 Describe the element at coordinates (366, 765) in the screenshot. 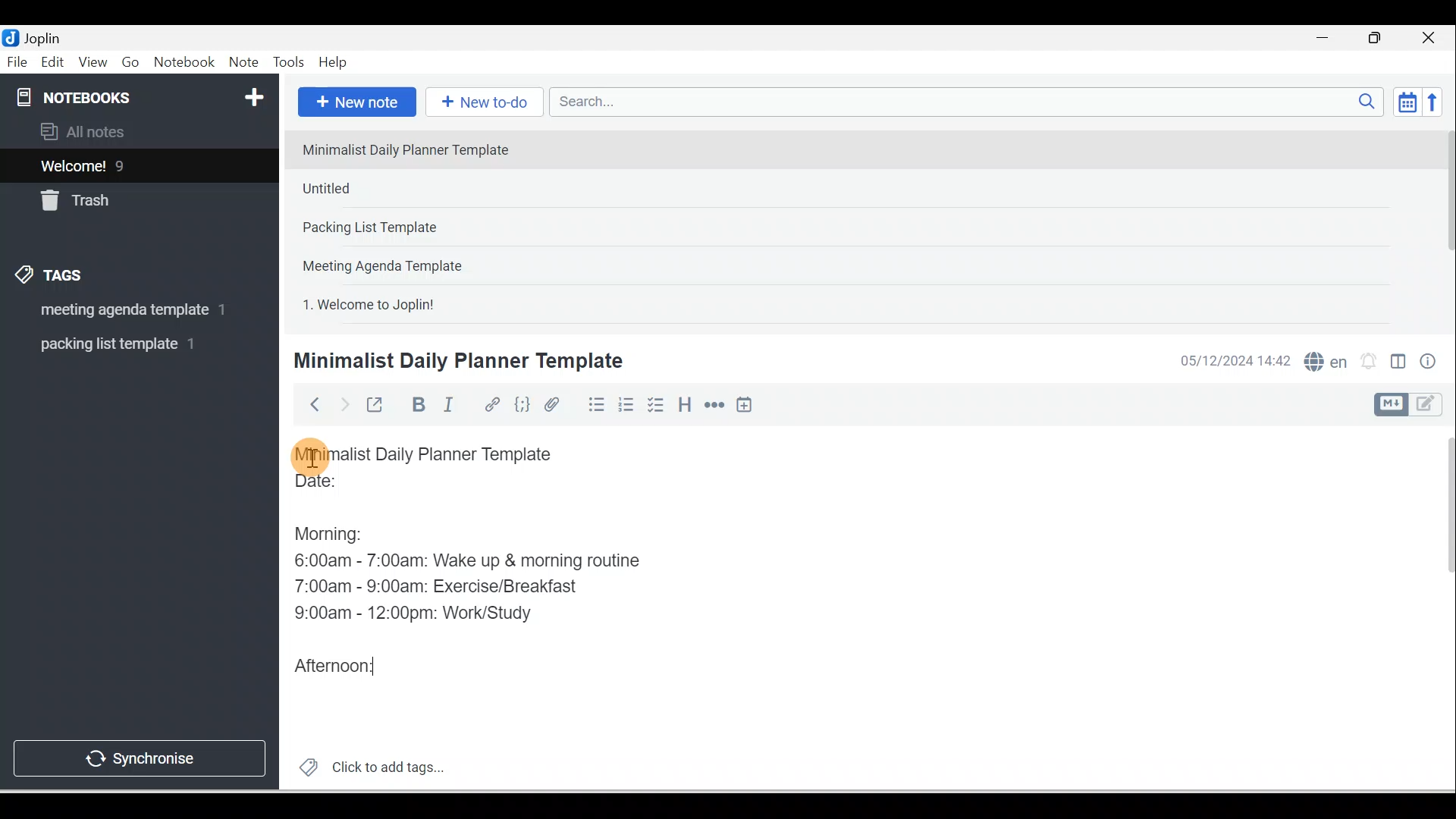

I see `Click to add tags` at that location.